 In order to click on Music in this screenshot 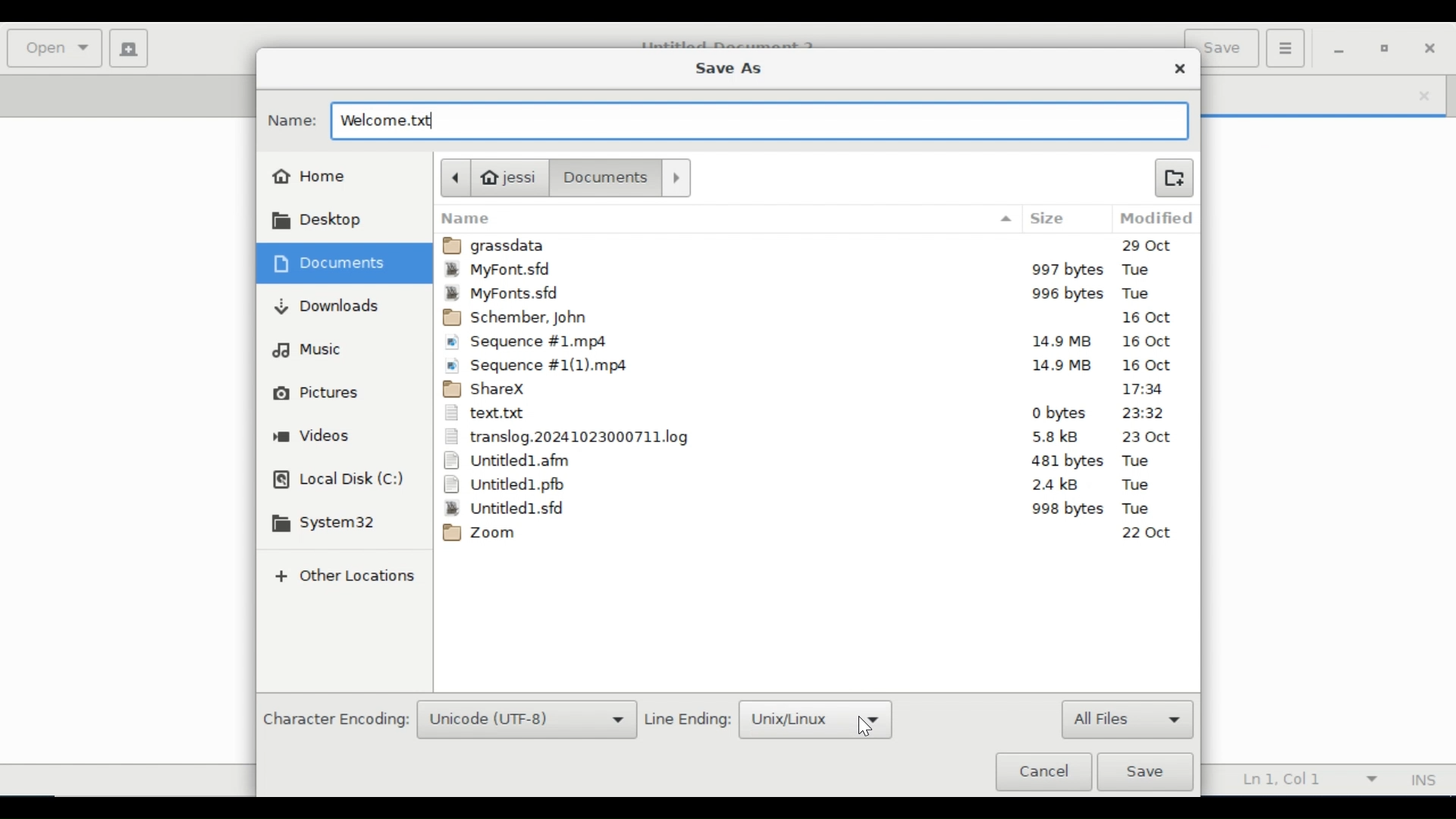, I will do `click(316, 352)`.